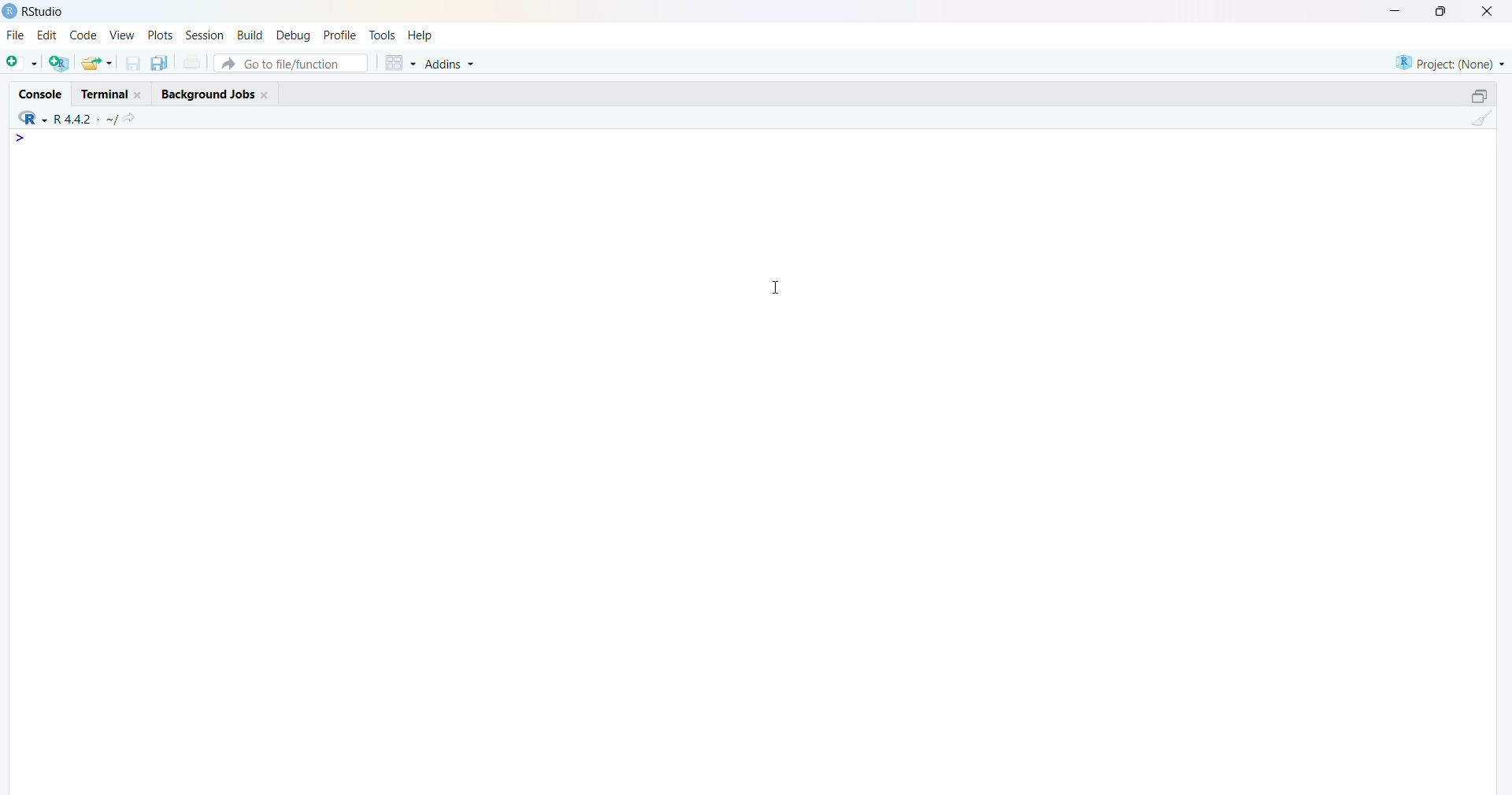 The height and width of the screenshot is (795, 1512). What do you see at coordinates (22, 138) in the screenshot?
I see `>` at bounding box center [22, 138].